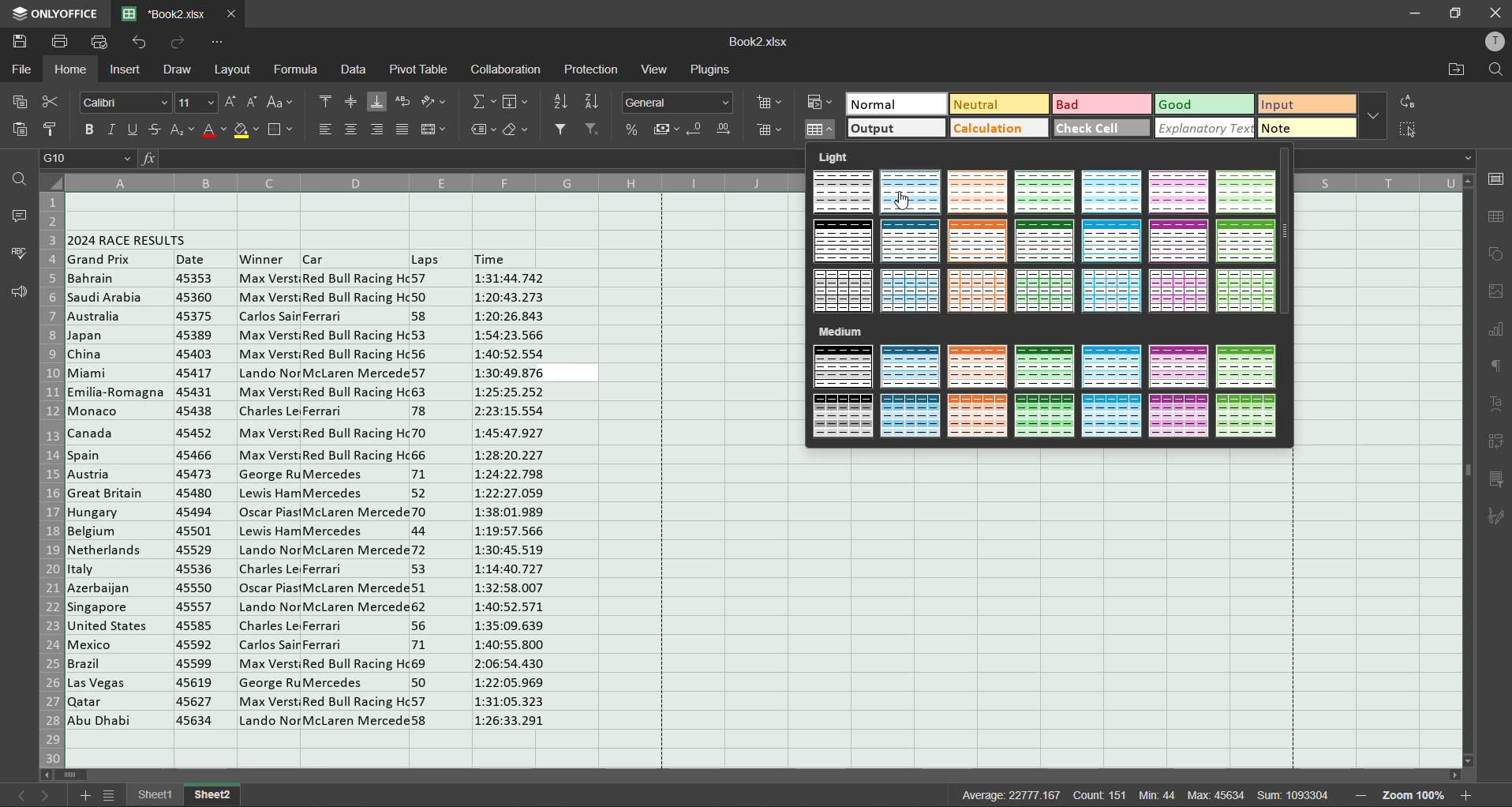 The image size is (1512, 807). What do you see at coordinates (23, 131) in the screenshot?
I see `paste` at bounding box center [23, 131].